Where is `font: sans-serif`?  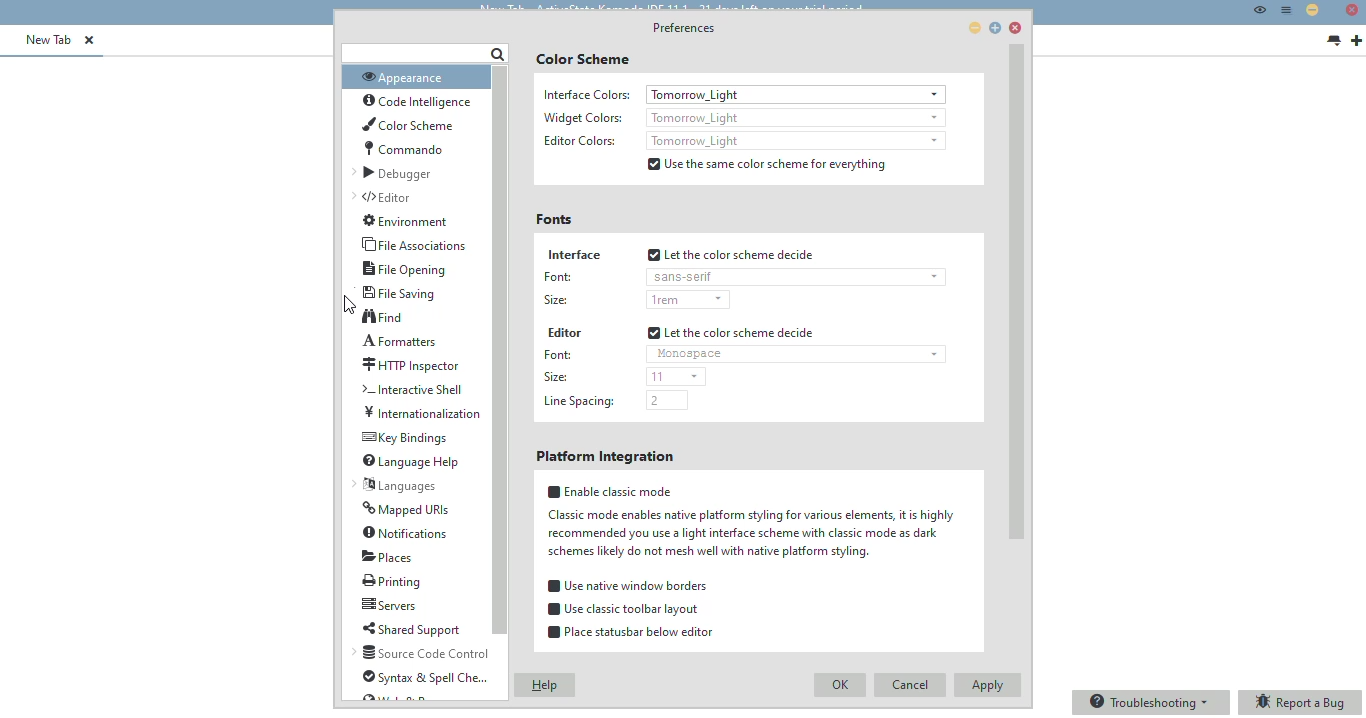
font: sans-serif is located at coordinates (742, 276).